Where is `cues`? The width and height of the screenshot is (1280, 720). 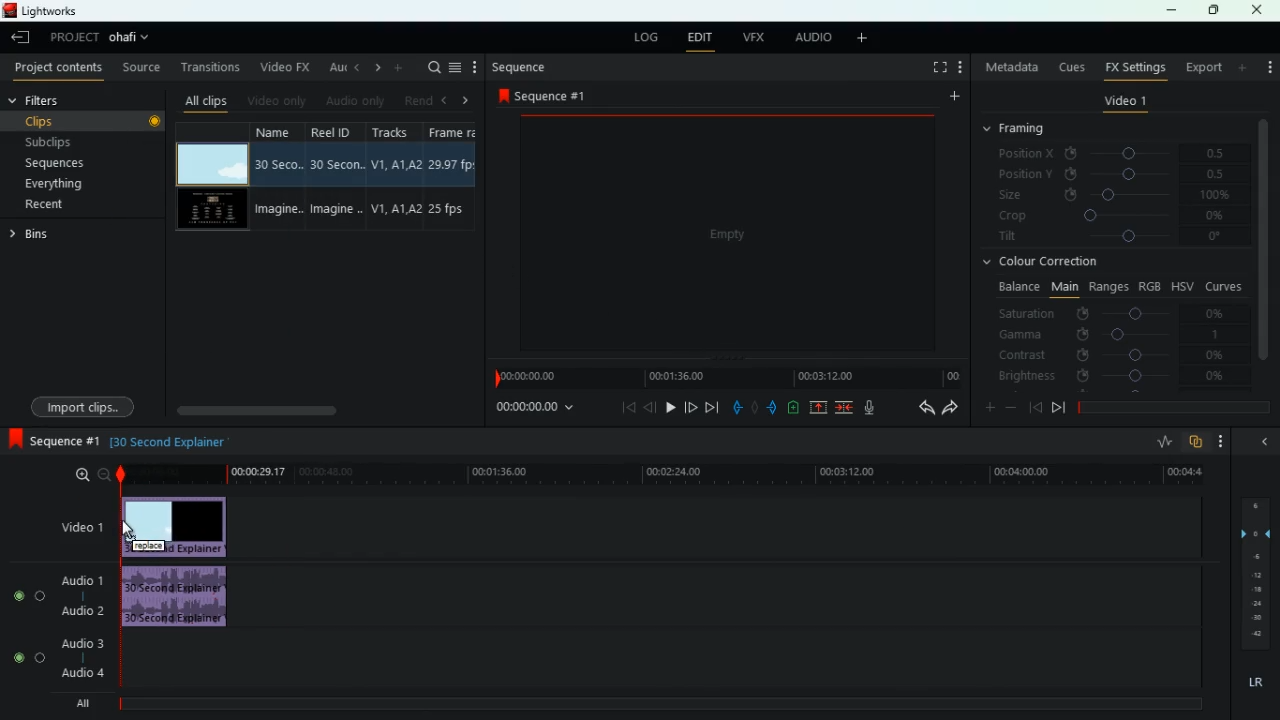
cues is located at coordinates (1073, 67).